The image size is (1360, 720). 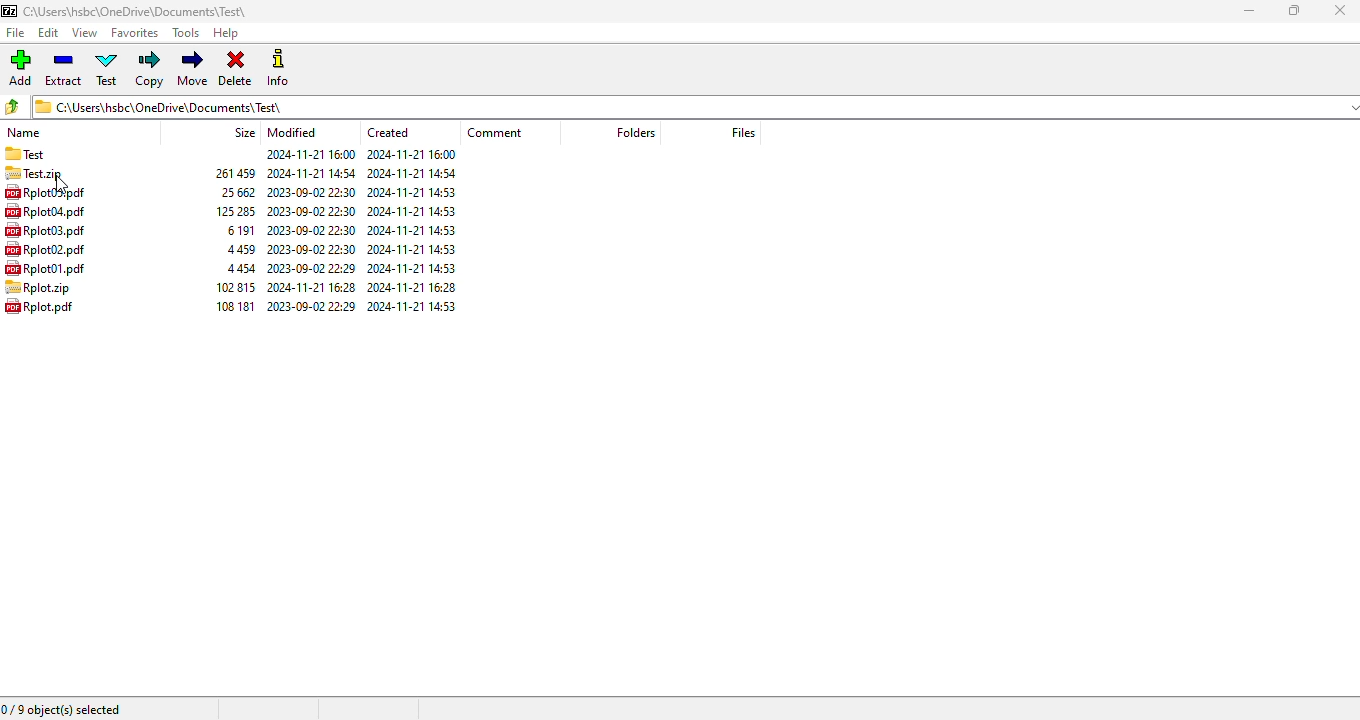 I want to click on modified date & time, so click(x=311, y=287).